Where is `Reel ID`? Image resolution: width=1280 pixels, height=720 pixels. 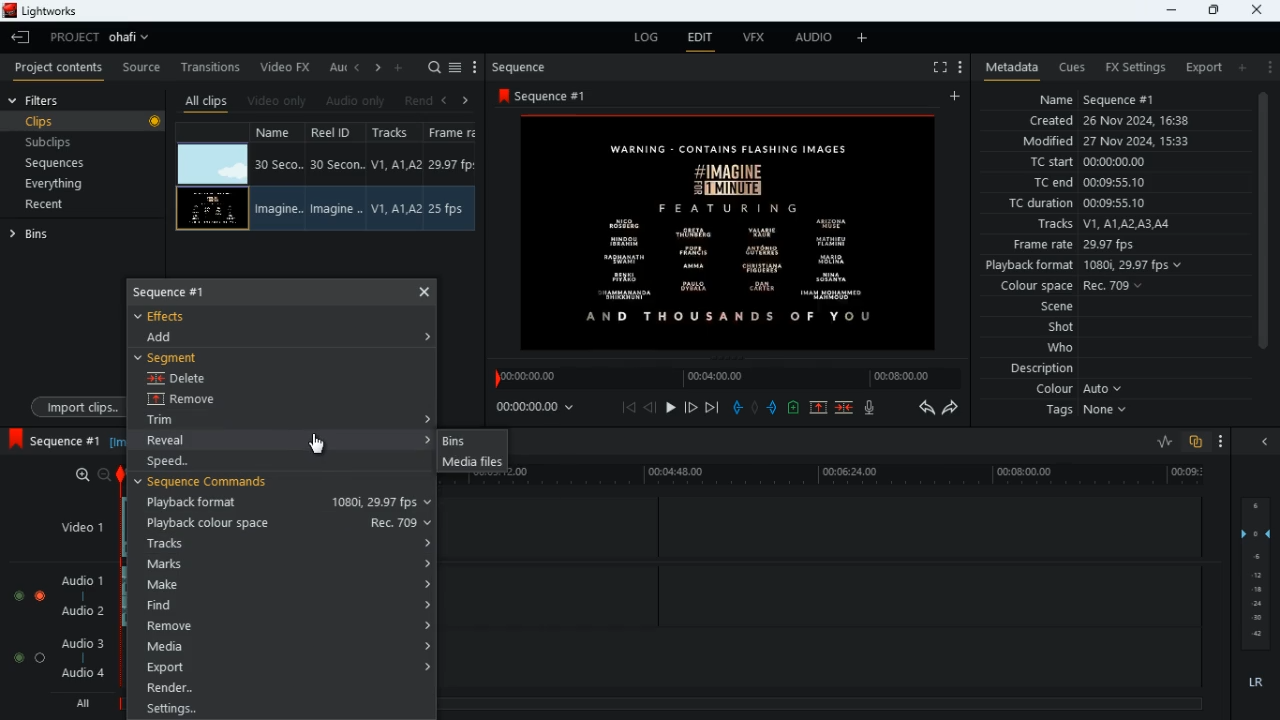
Reel ID is located at coordinates (338, 165).